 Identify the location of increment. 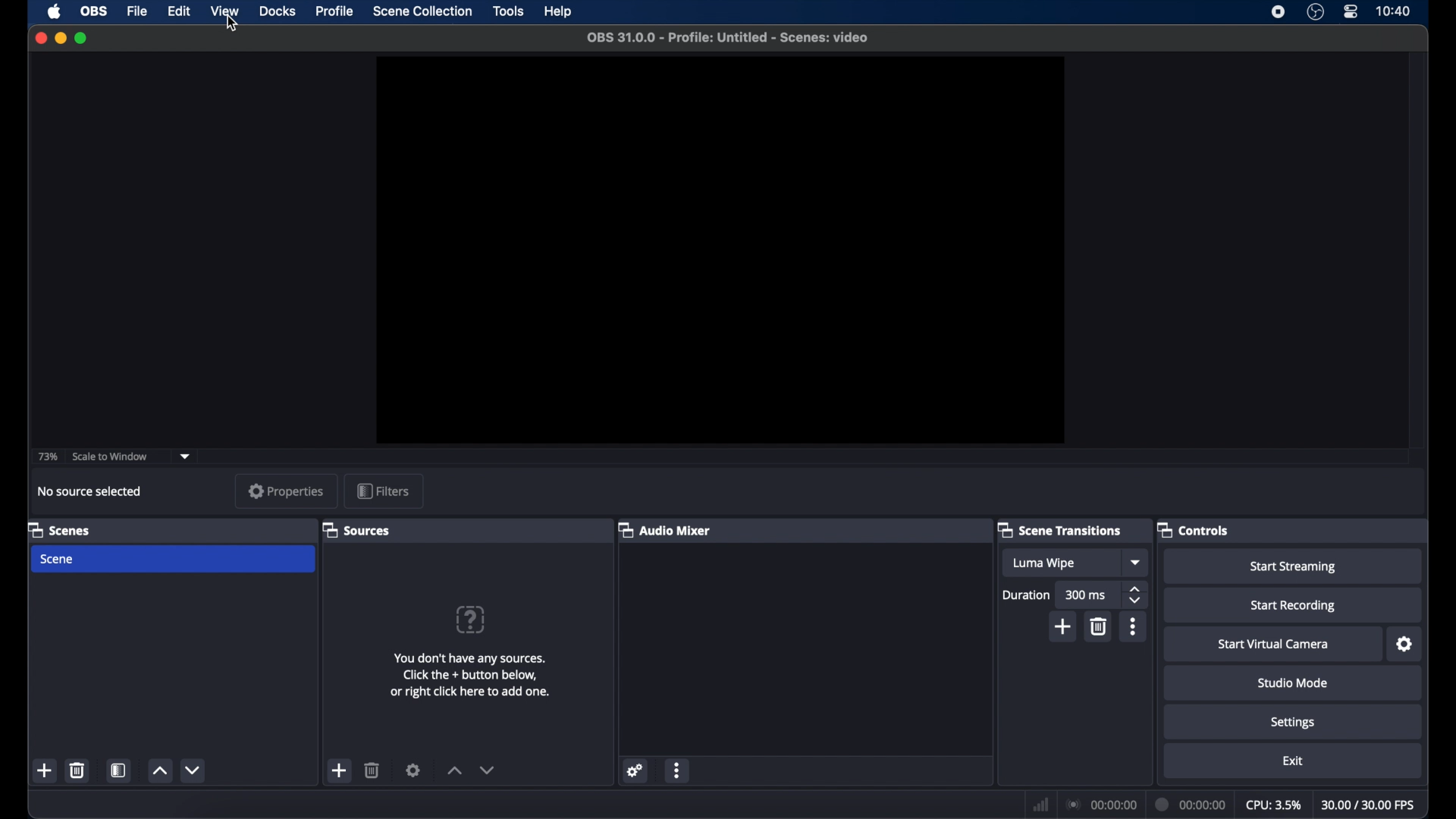
(159, 770).